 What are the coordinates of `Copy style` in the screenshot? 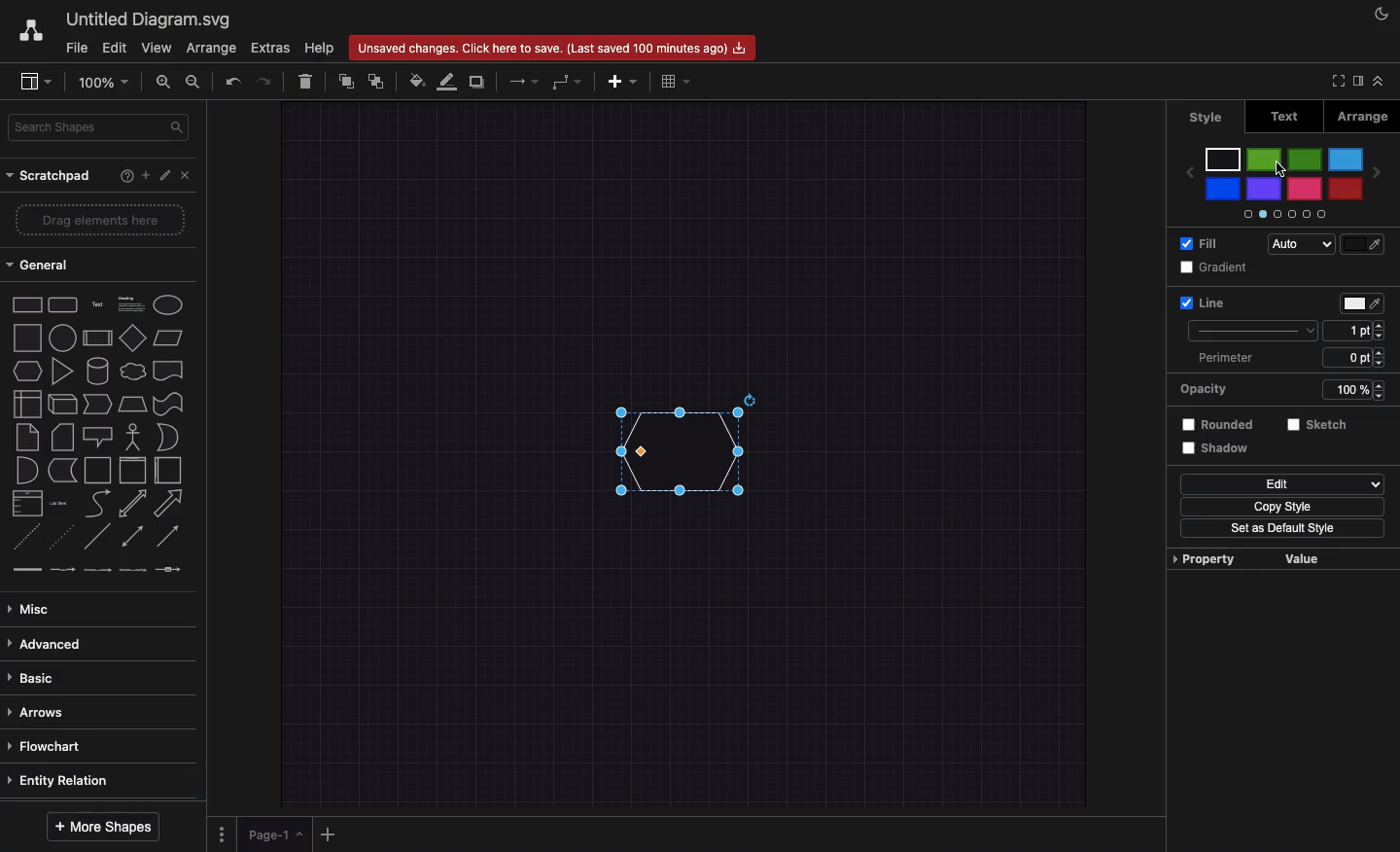 It's located at (1285, 507).